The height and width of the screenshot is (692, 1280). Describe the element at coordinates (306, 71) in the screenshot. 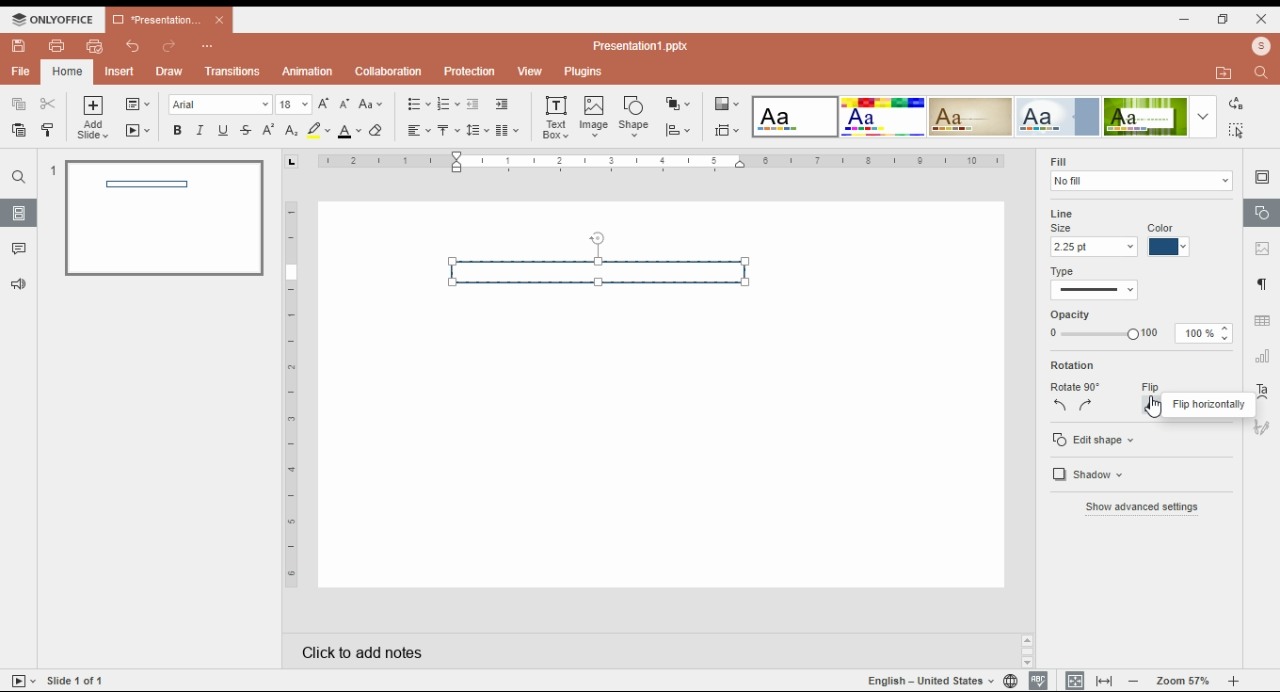

I see `animation` at that location.